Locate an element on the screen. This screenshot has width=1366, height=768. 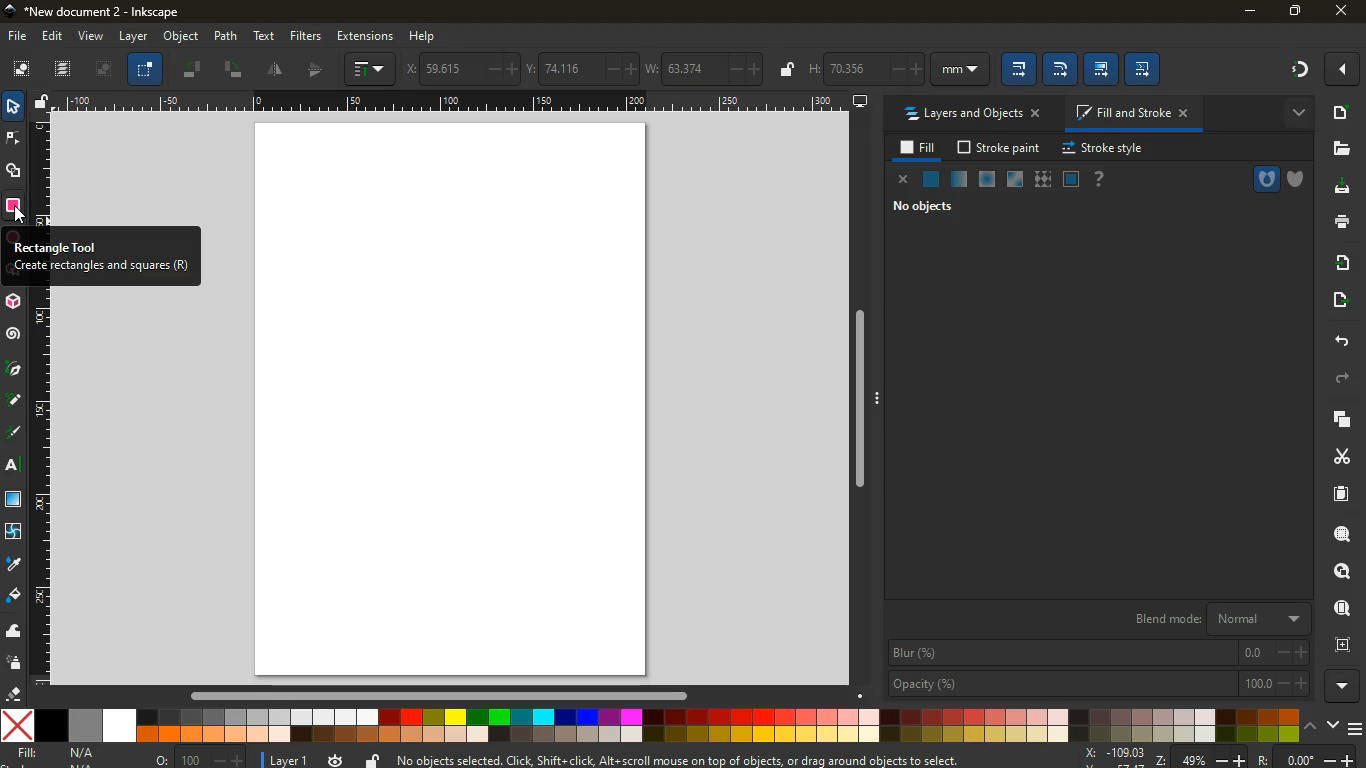
3d tool box is located at coordinates (13, 303).